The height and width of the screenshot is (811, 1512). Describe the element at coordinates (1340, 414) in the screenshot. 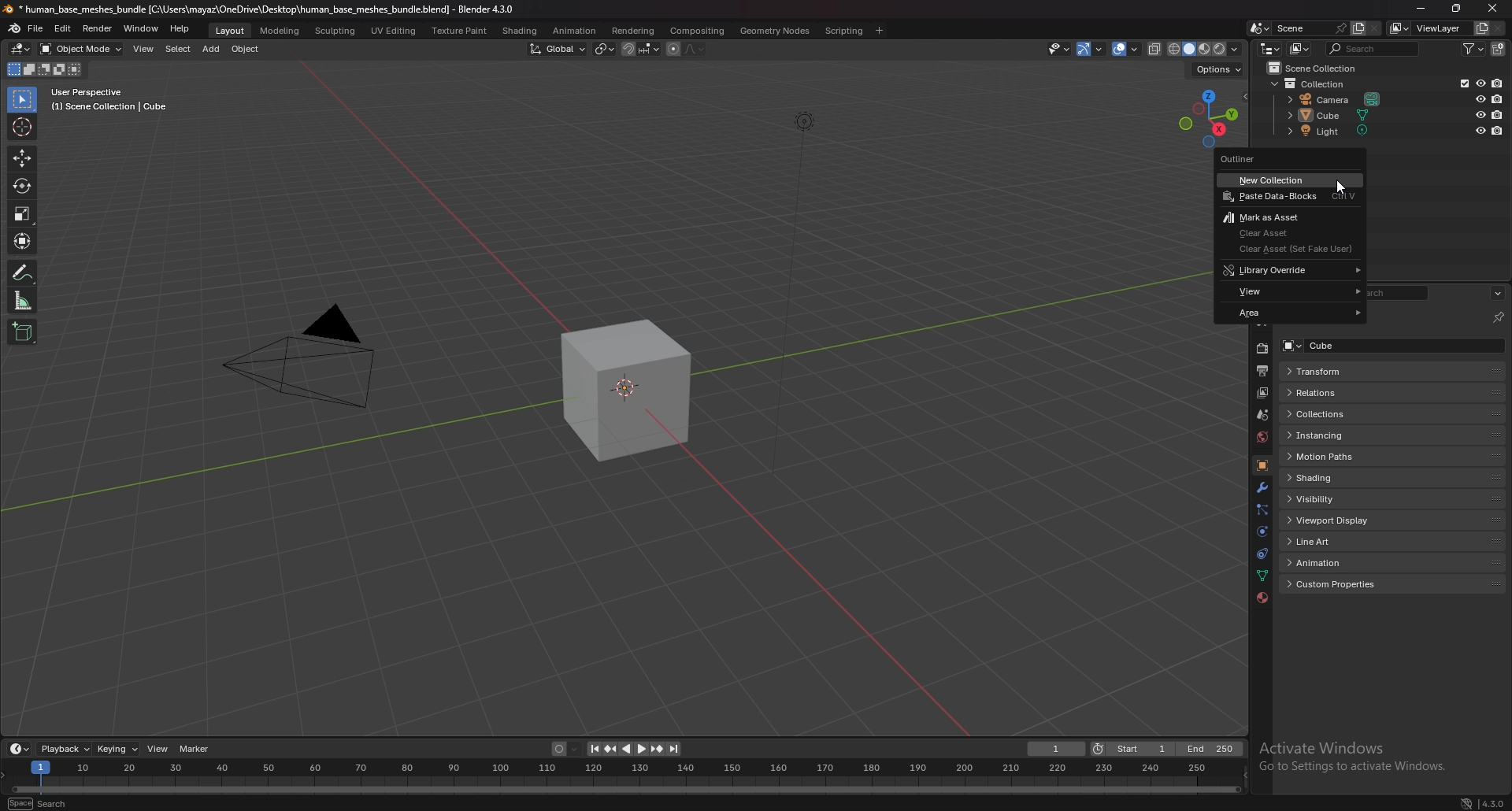

I see `collections` at that location.